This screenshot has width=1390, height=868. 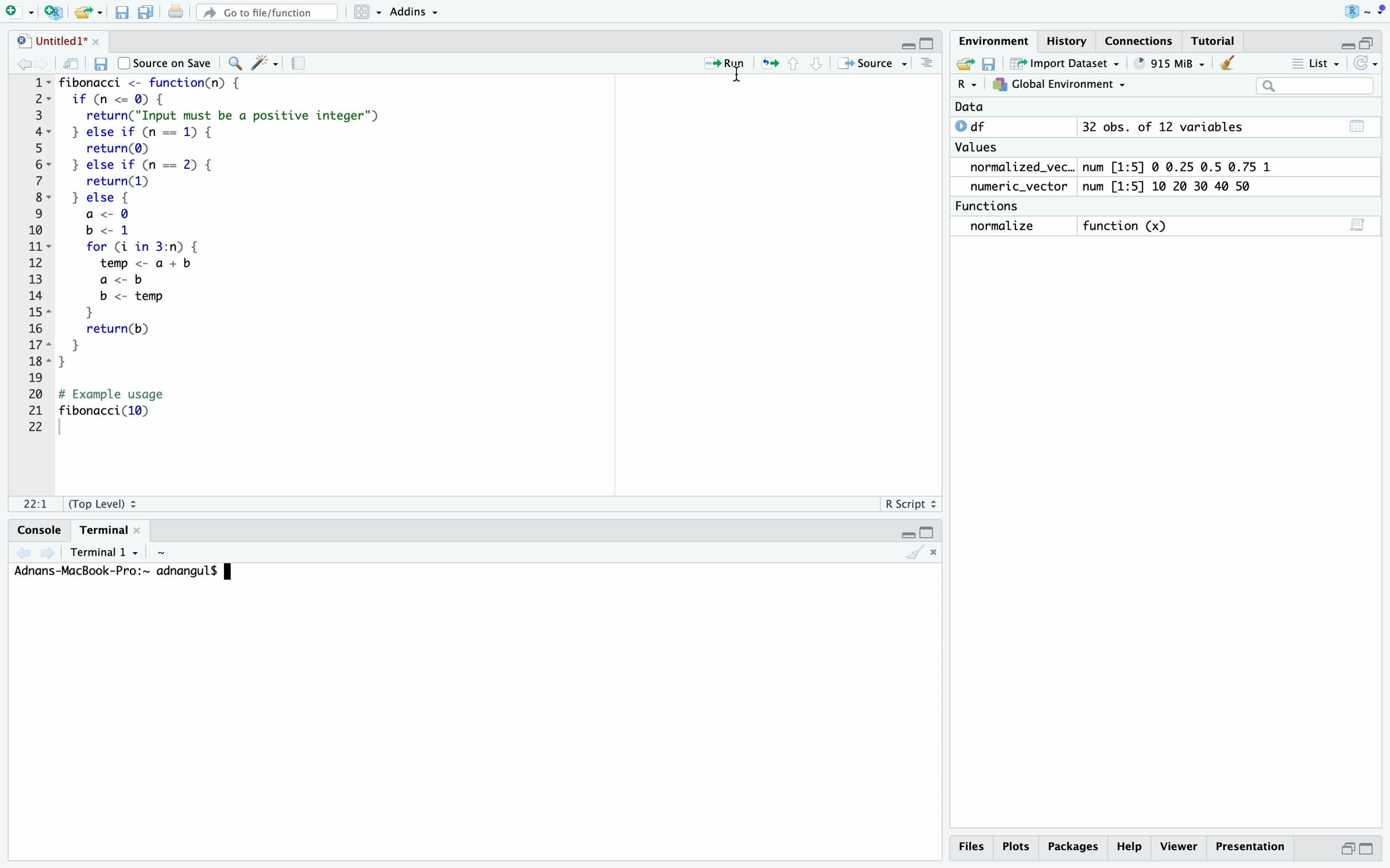 I want to click on minimize, so click(x=903, y=530).